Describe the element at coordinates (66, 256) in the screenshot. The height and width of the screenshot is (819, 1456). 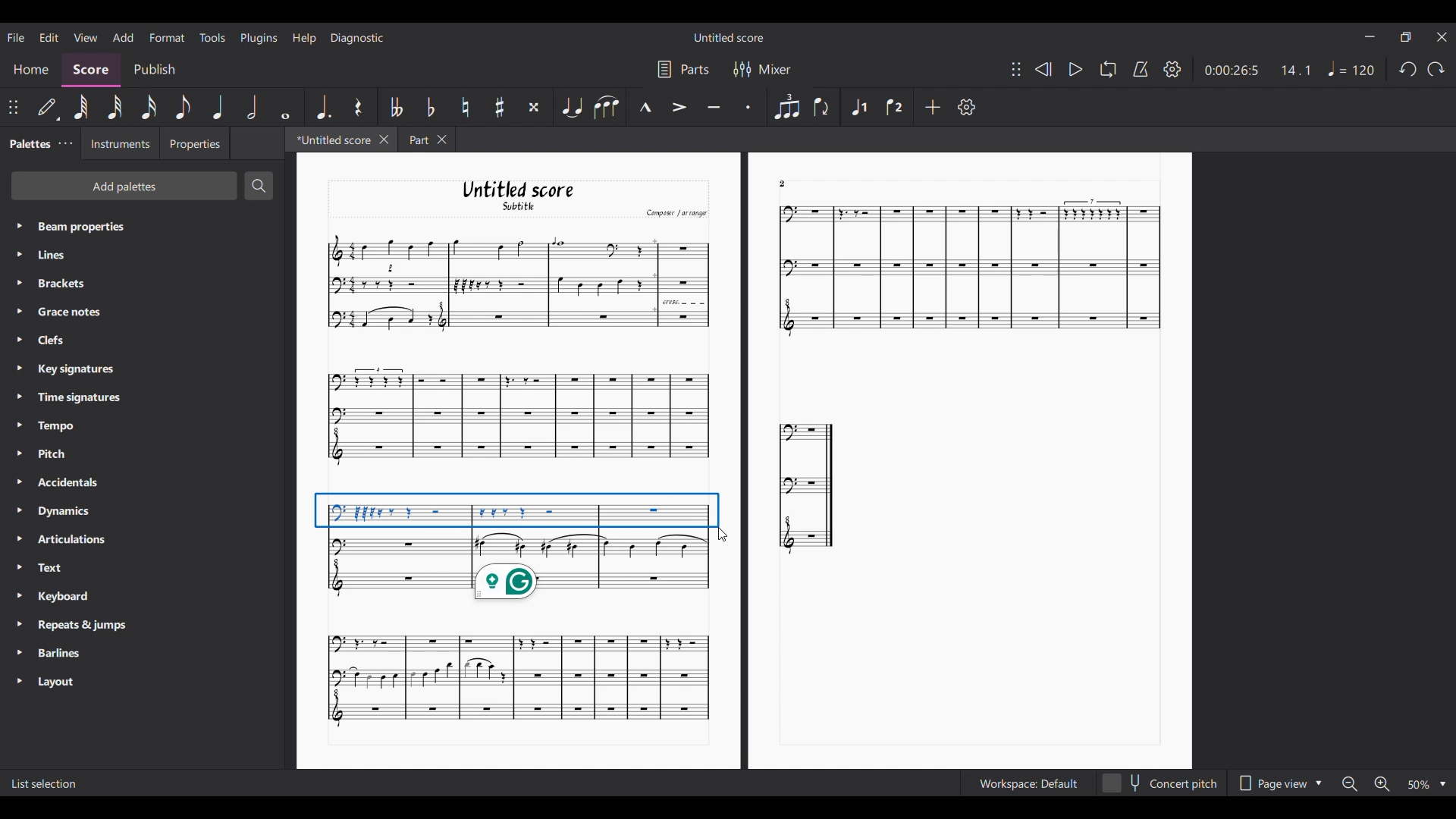
I see `» Lines` at that location.